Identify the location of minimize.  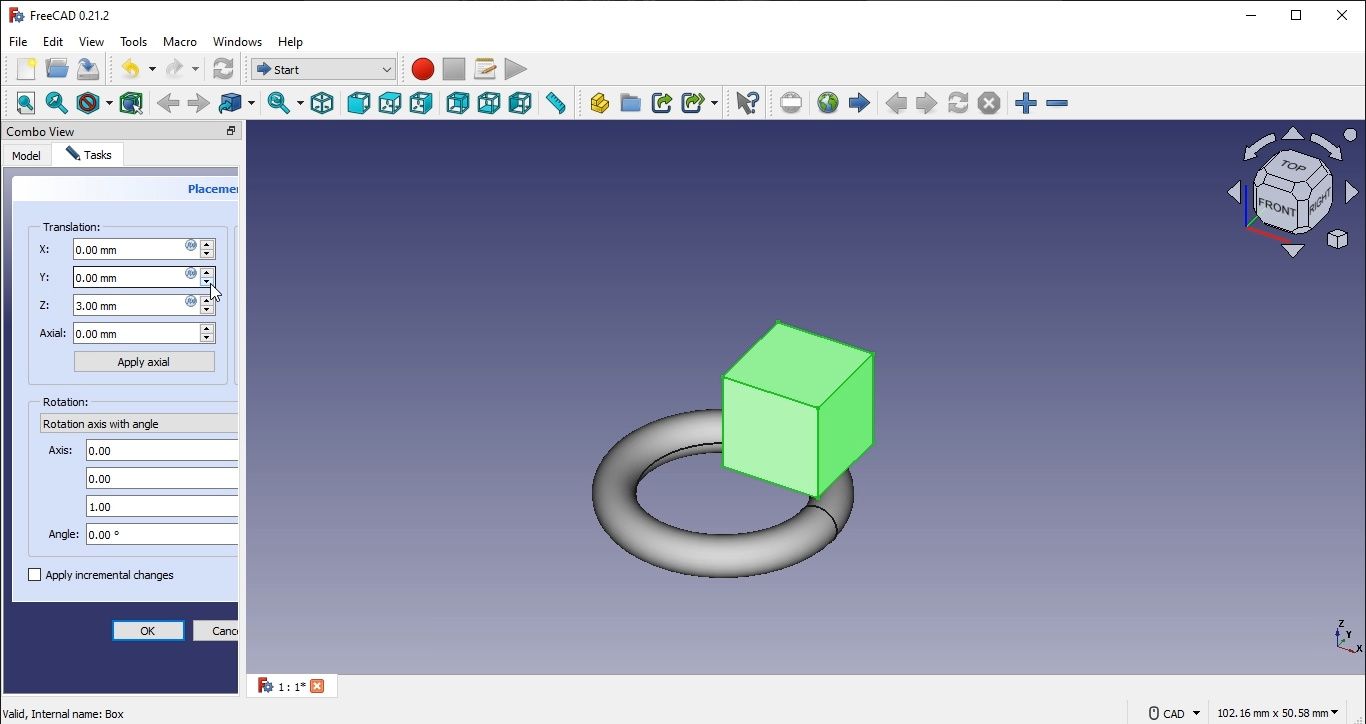
(1252, 14).